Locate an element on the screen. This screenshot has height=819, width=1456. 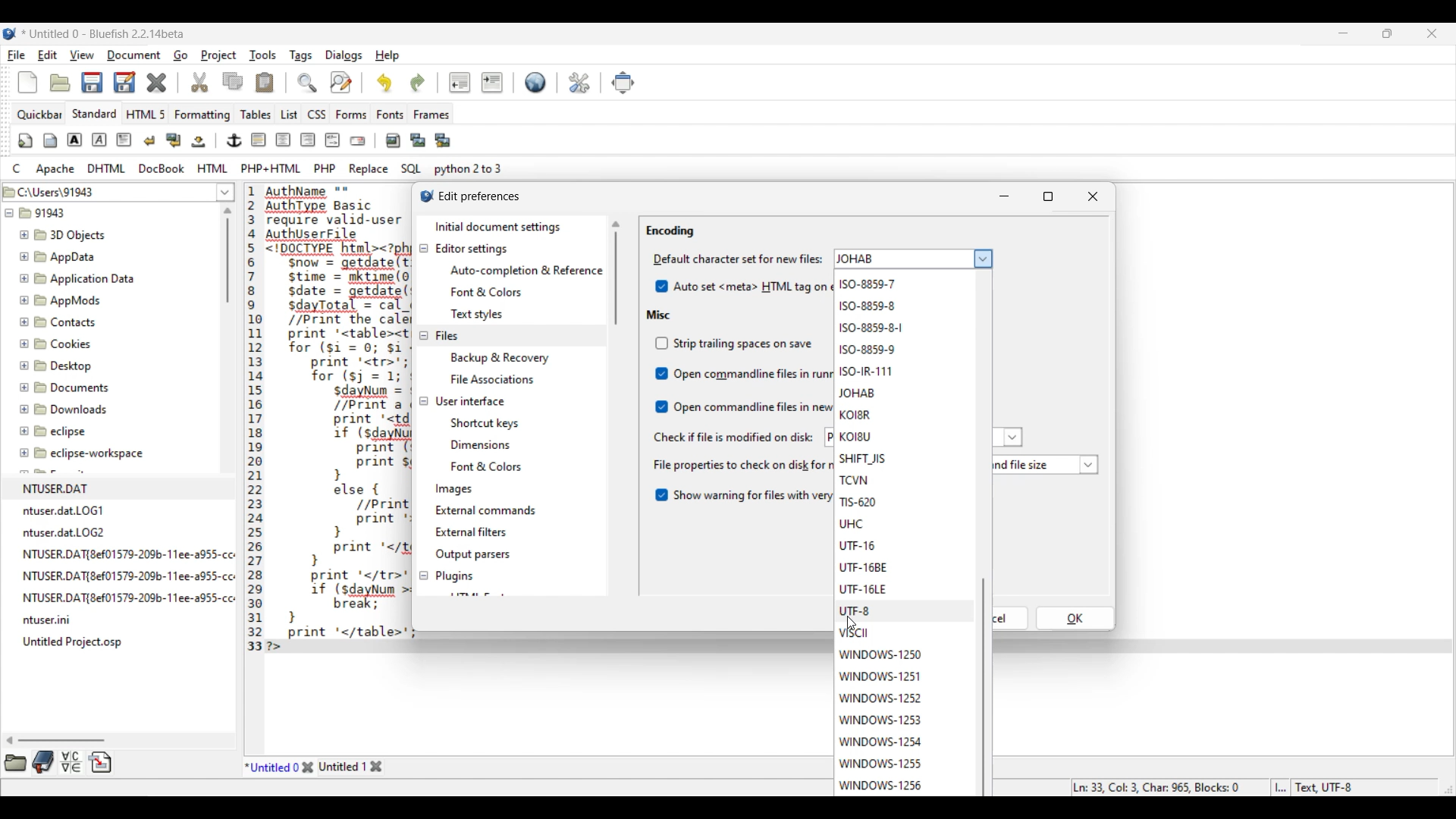
Cut is located at coordinates (199, 82).